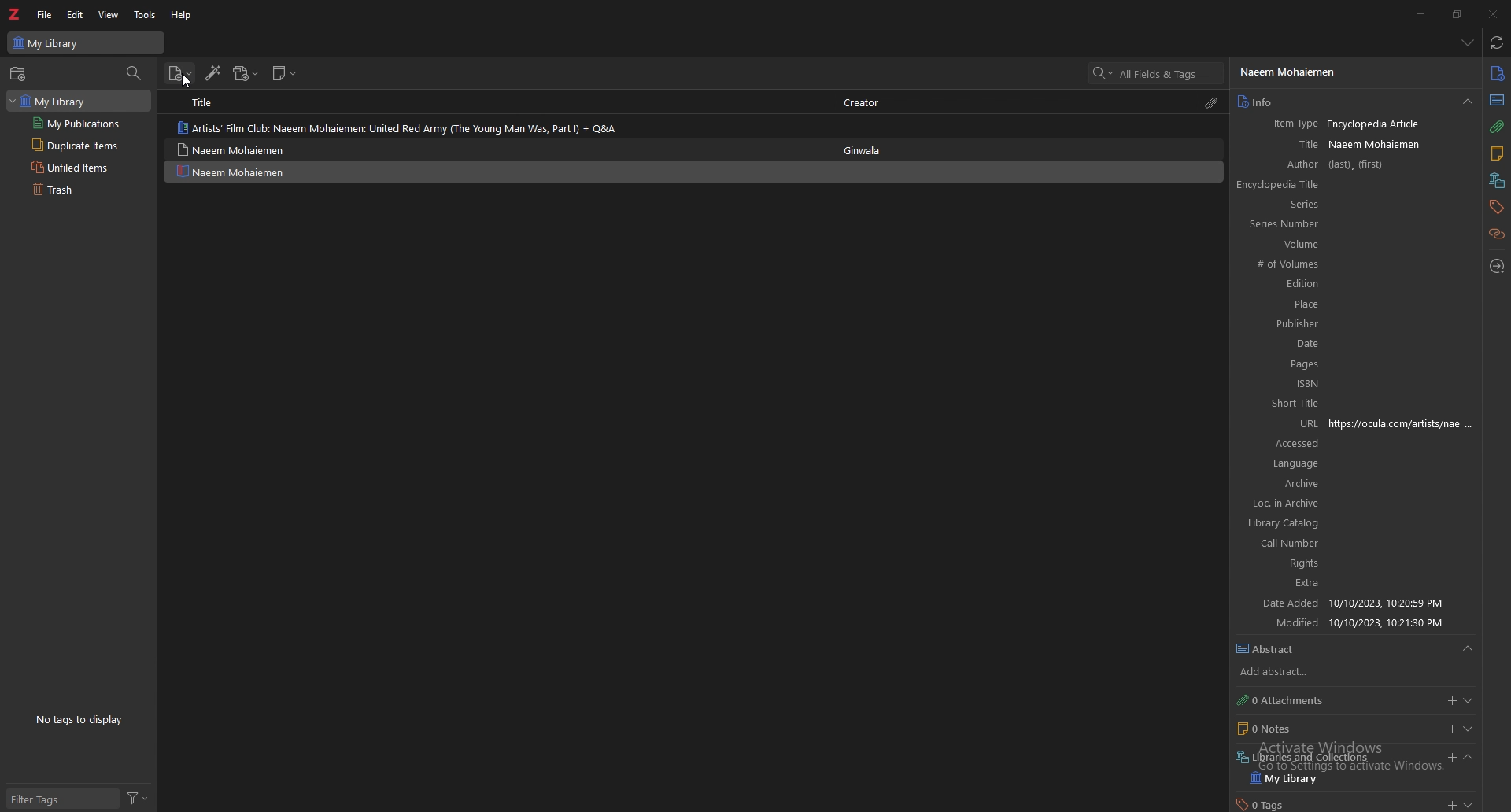 The width and height of the screenshot is (1511, 812). What do you see at coordinates (1280, 444) in the screenshot?
I see `accessed` at bounding box center [1280, 444].